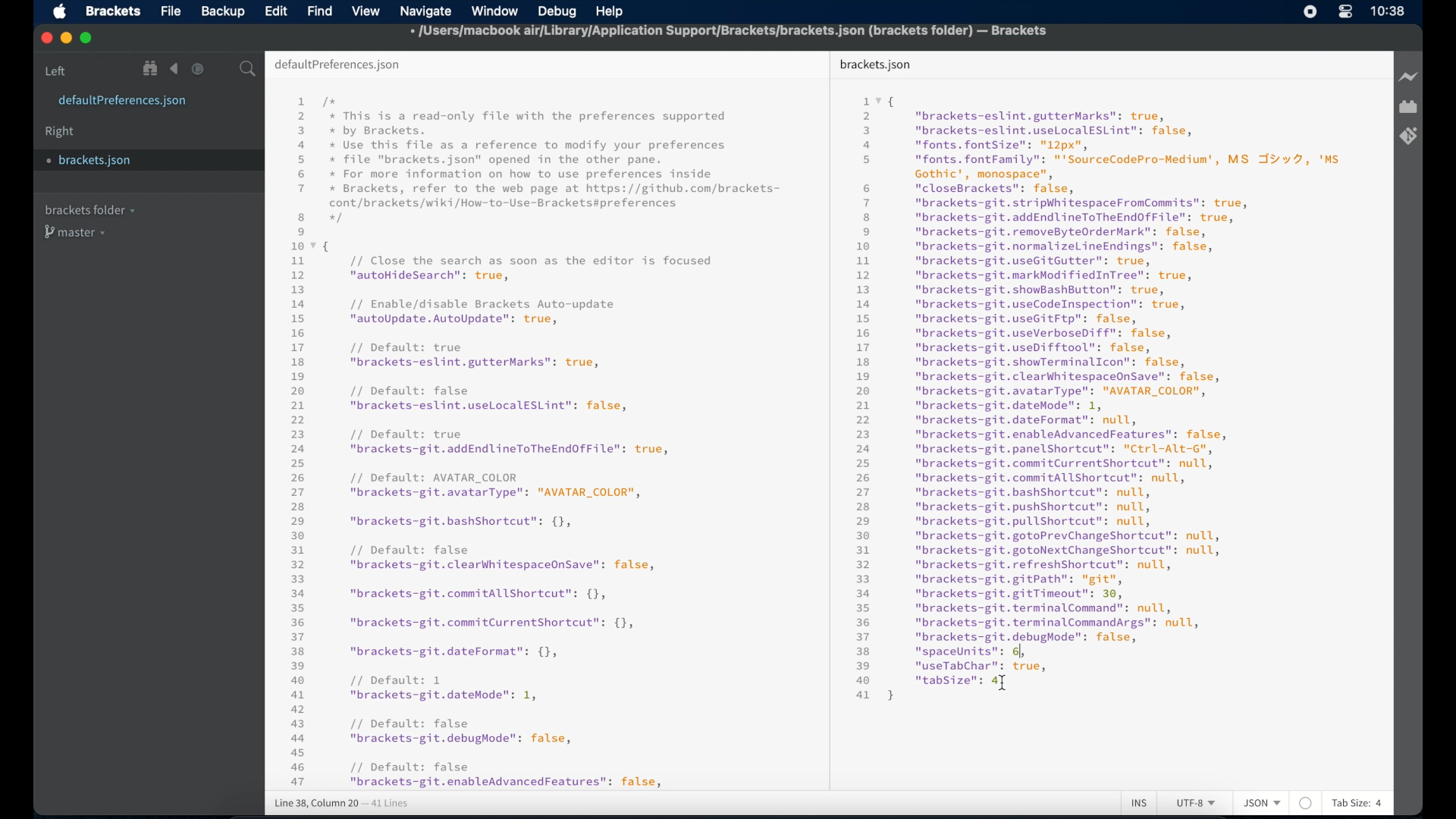 This screenshot has height=819, width=1456. Describe the element at coordinates (222, 70) in the screenshot. I see `split the editor vertical or horizontal` at that location.